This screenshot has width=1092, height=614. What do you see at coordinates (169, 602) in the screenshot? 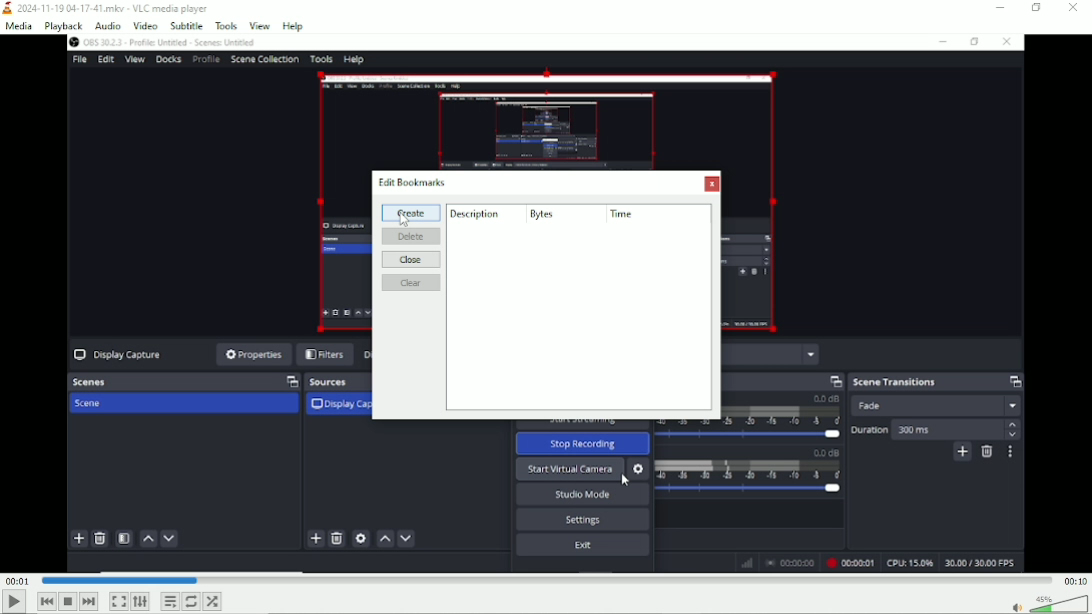
I see `Toggle playlist` at bounding box center [169, 602].